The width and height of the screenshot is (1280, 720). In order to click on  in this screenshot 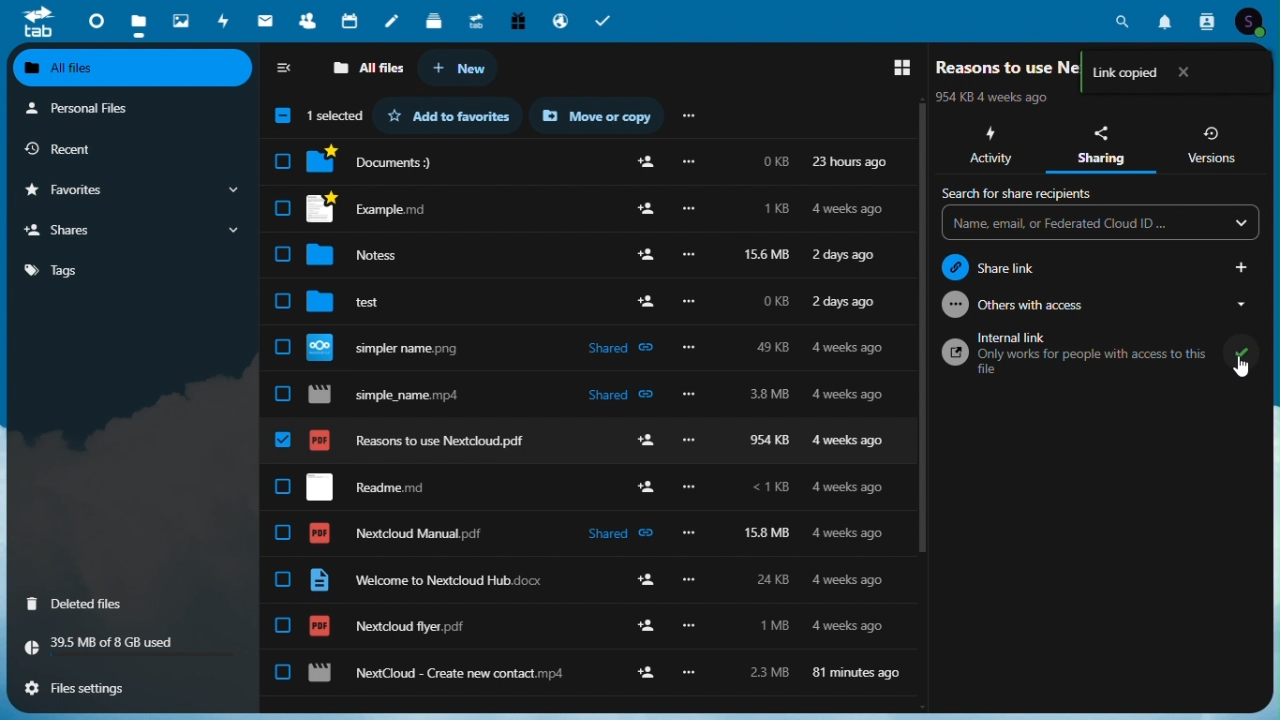, I will do `click(696, 671)`.